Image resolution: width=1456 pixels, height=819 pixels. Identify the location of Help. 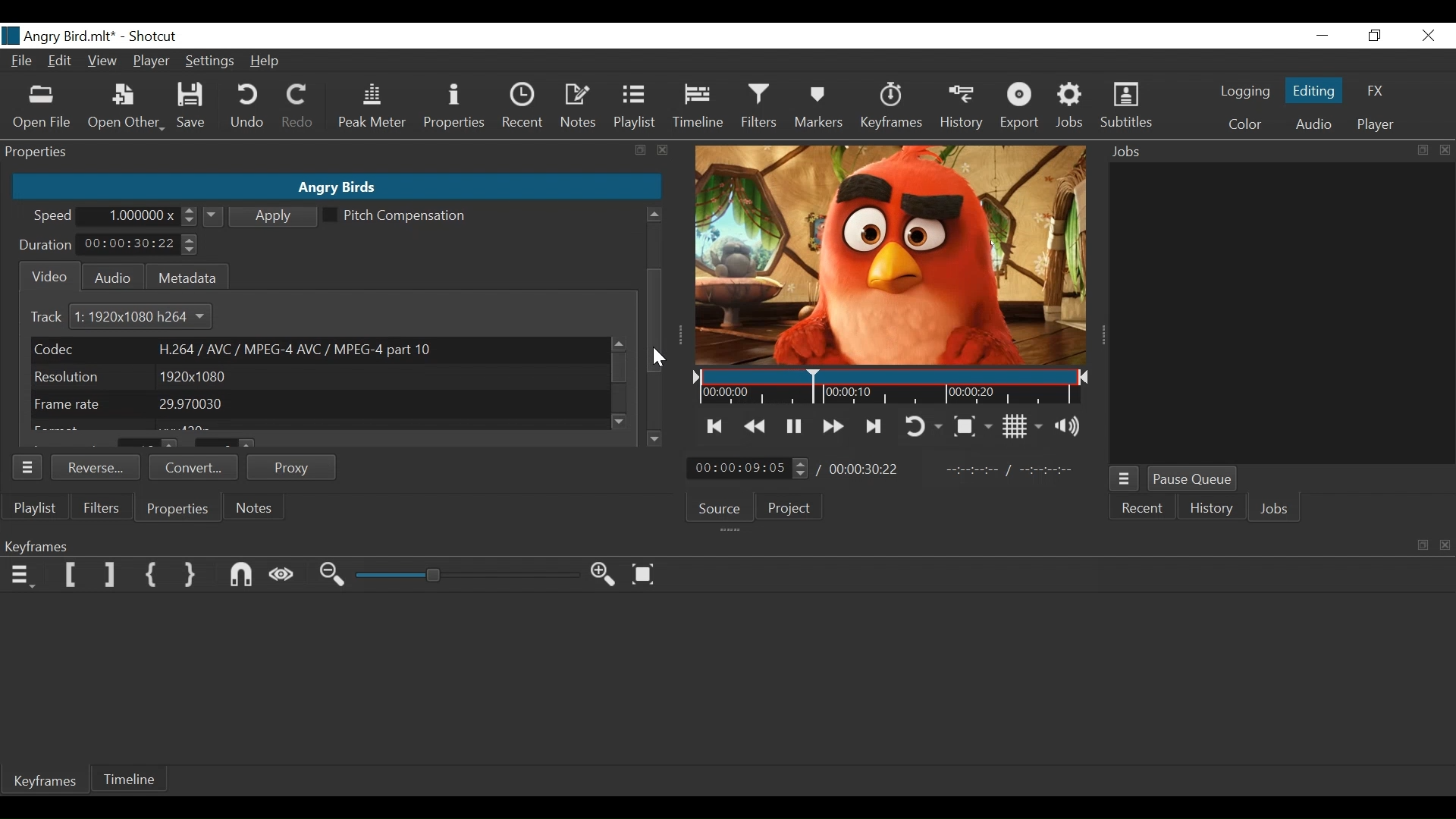
(266, 61).